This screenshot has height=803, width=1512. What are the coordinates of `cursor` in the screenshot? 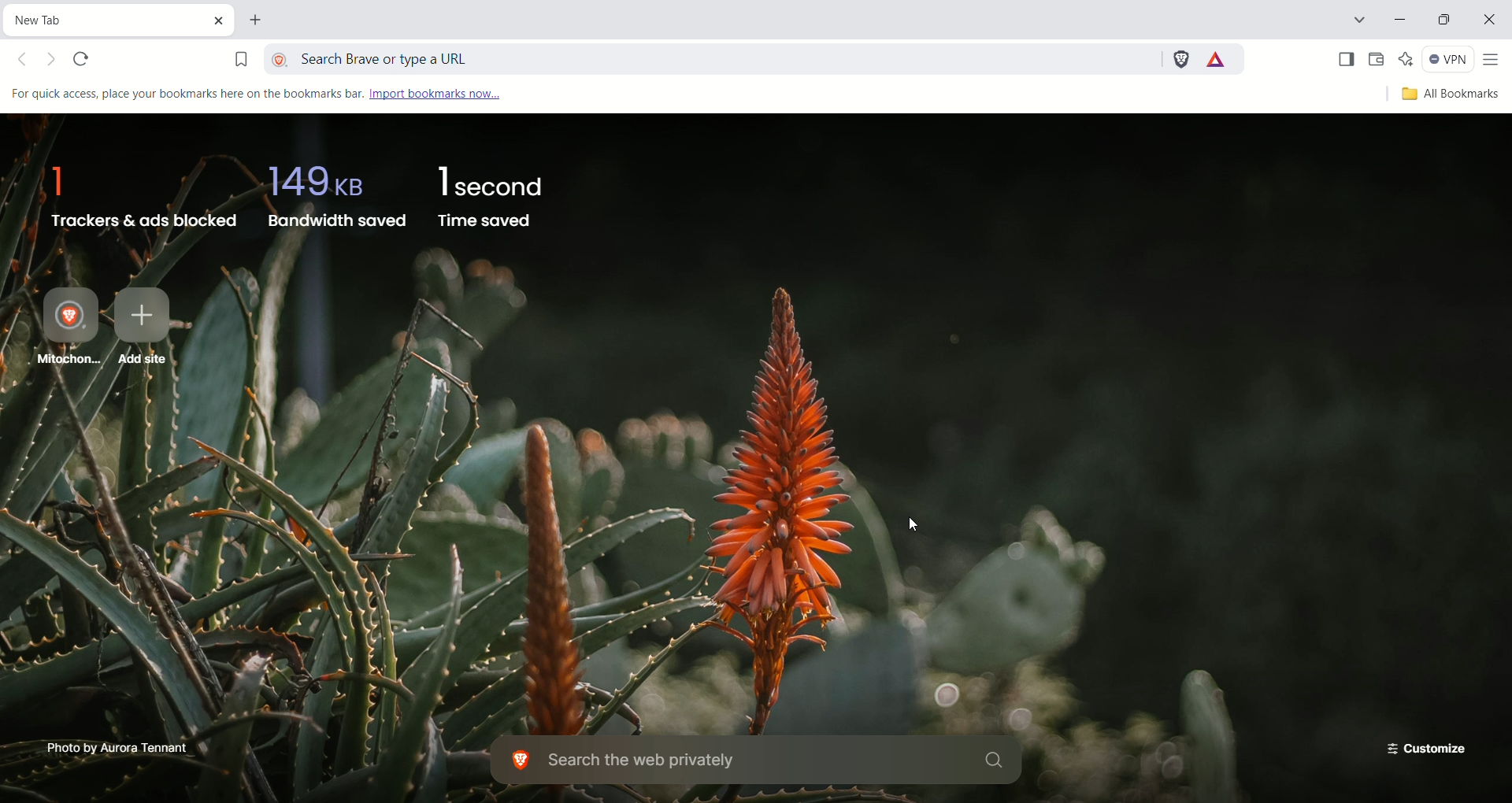 It's located at (922, 523).